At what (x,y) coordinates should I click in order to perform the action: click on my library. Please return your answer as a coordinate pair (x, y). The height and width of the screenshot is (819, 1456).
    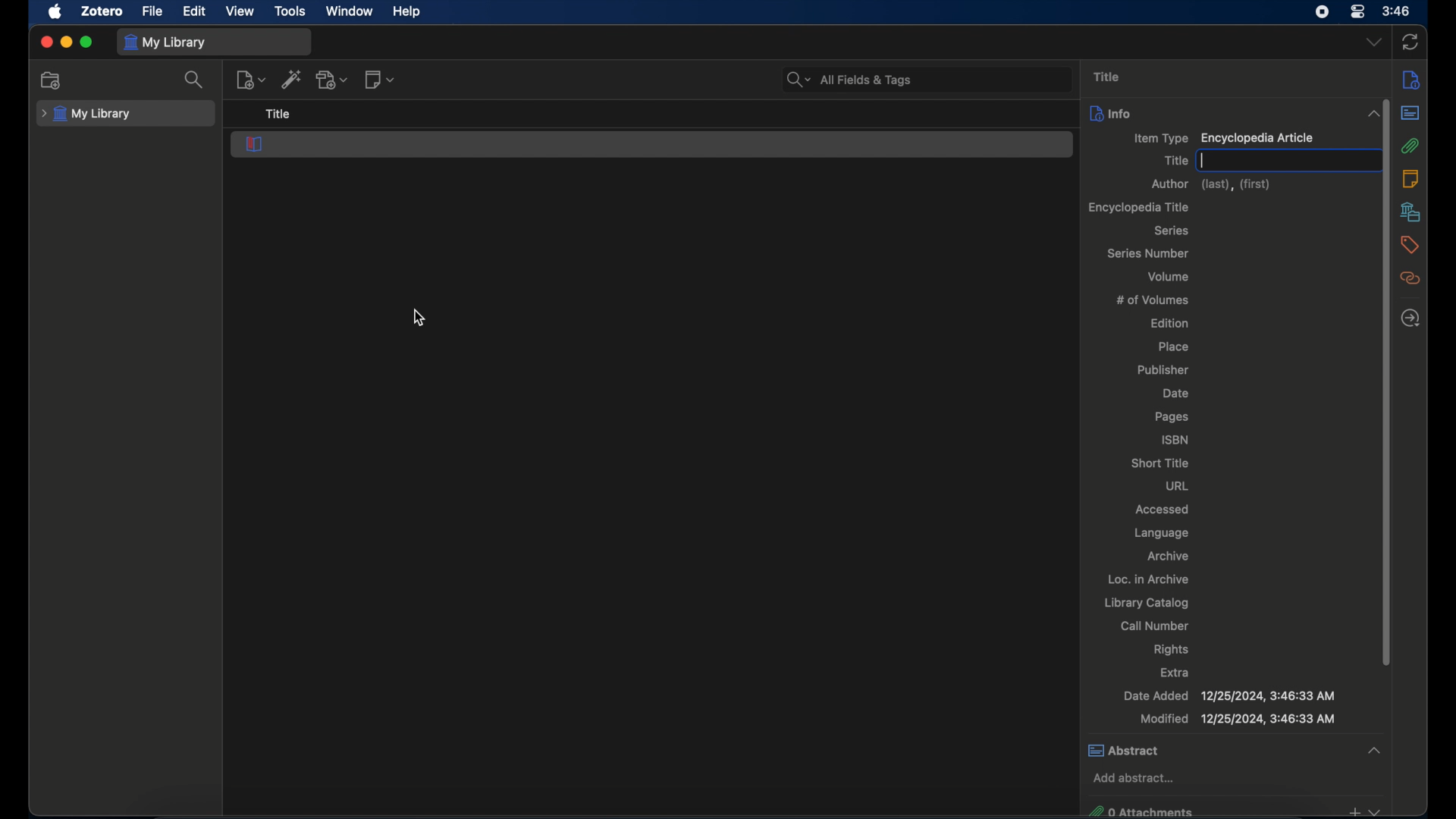
    Looking at the image, I should click on (88, 114).